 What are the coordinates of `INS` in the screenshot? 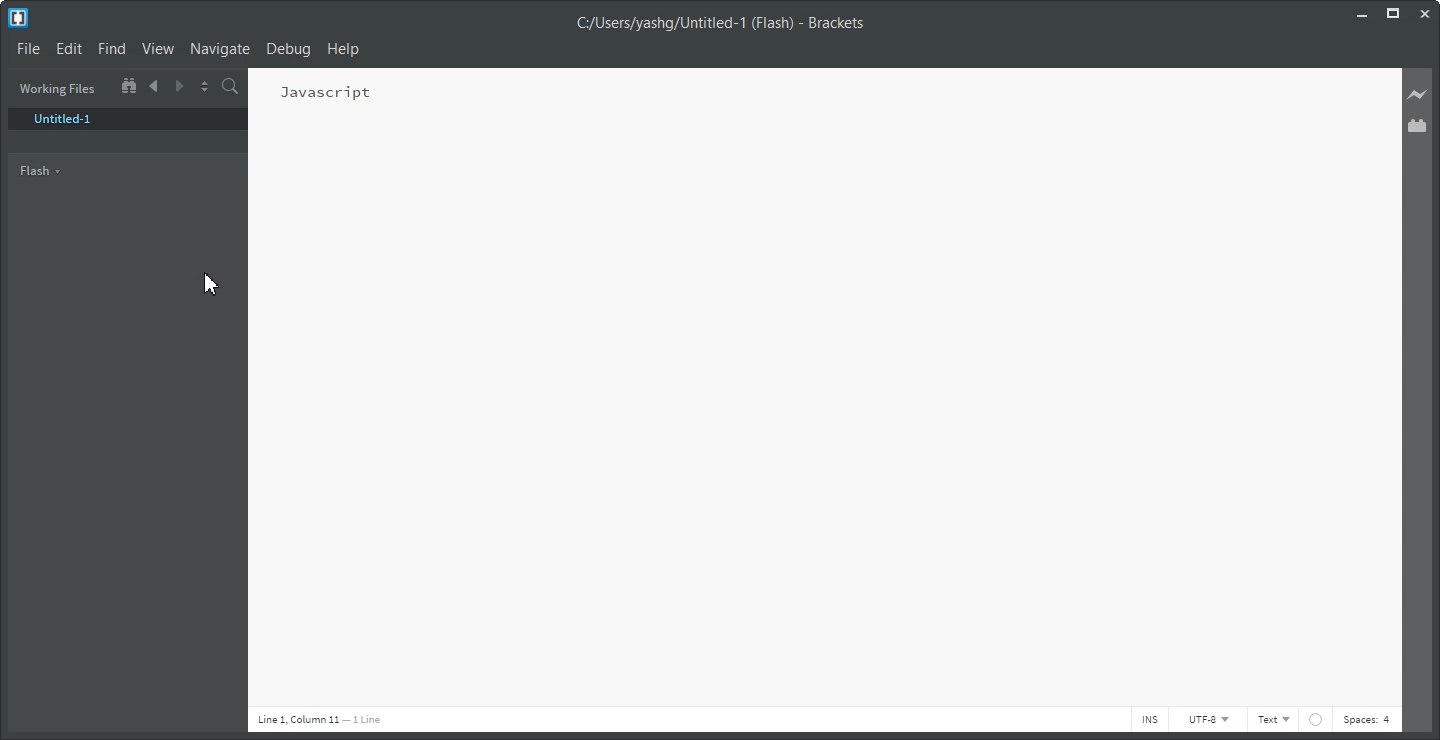 It's located at (1150, 719).